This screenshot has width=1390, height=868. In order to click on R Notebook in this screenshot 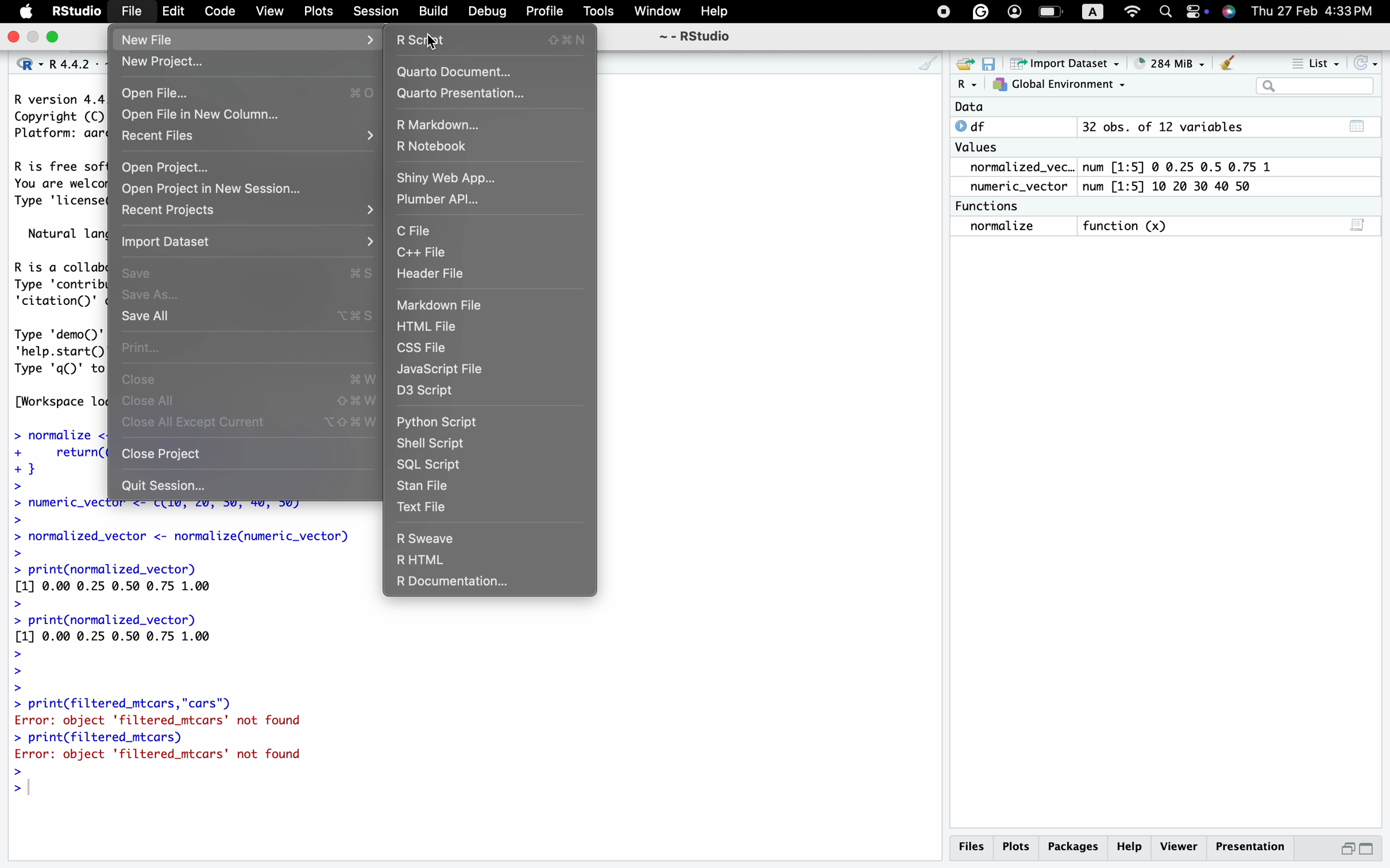, I will do `click(438, 144)`.